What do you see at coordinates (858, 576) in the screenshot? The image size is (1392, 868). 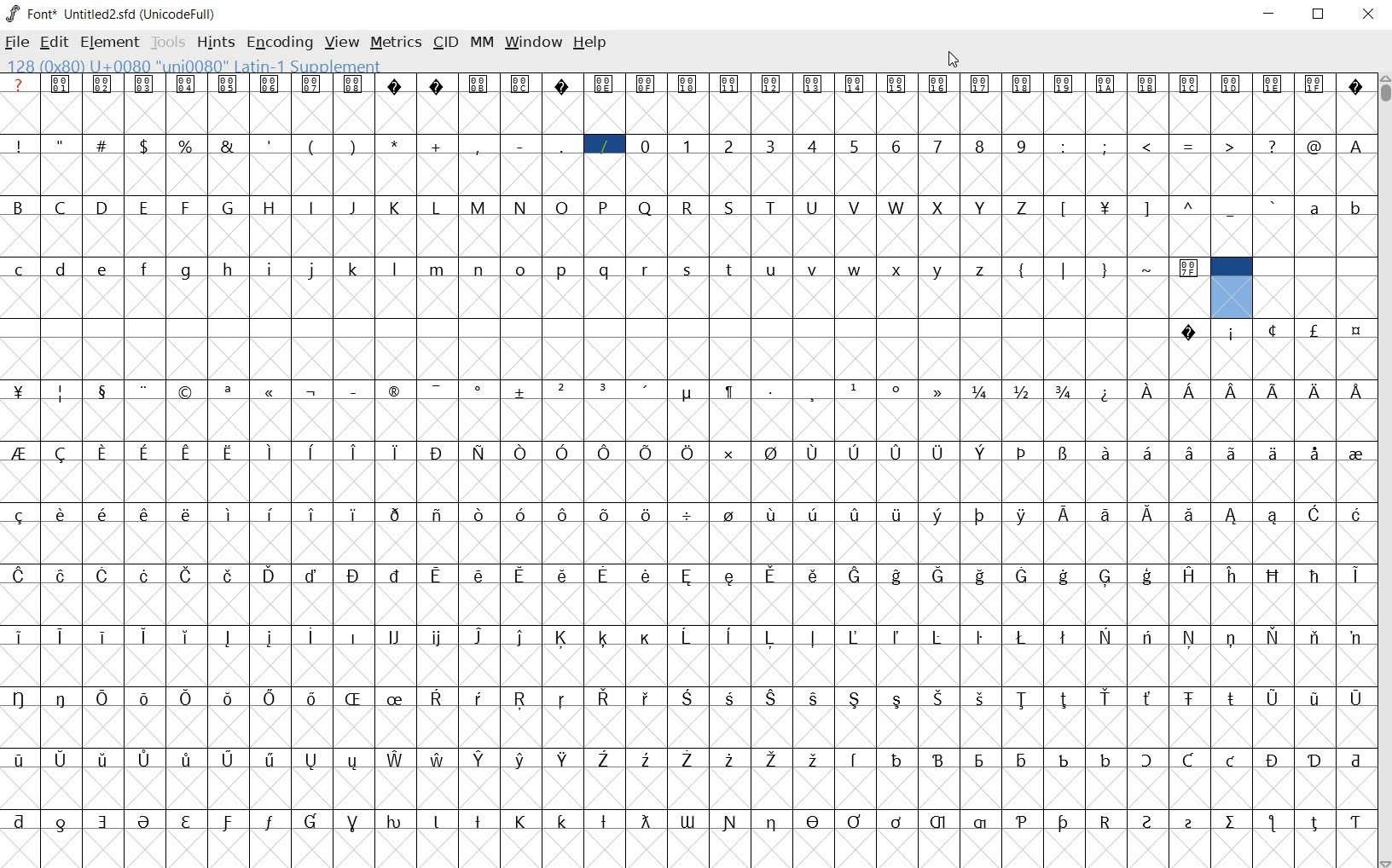 I see `Symbol` at bounding box center [858, 576].